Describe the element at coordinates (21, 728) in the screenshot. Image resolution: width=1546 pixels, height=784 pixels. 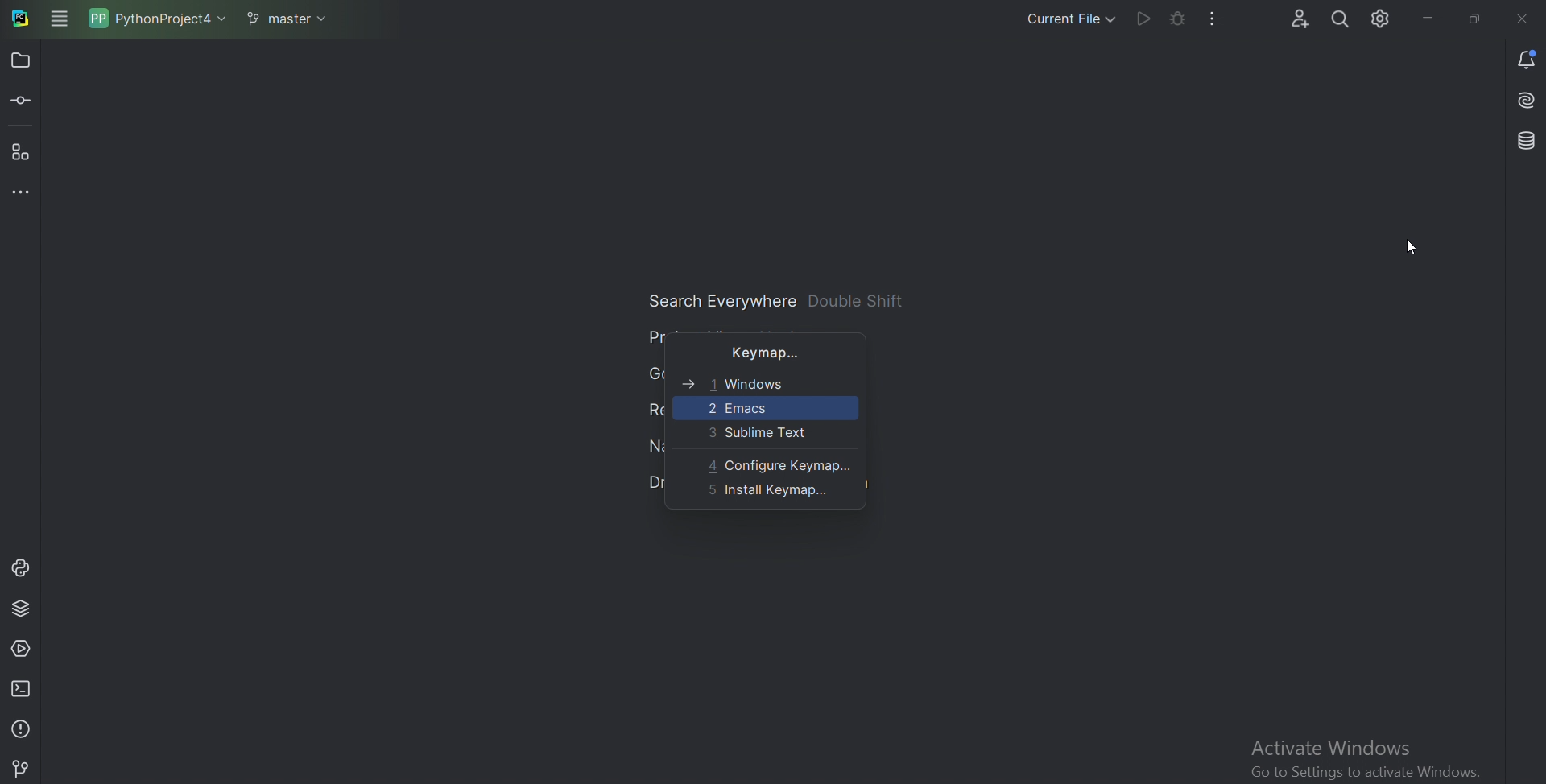
I see `Problems` at that location.